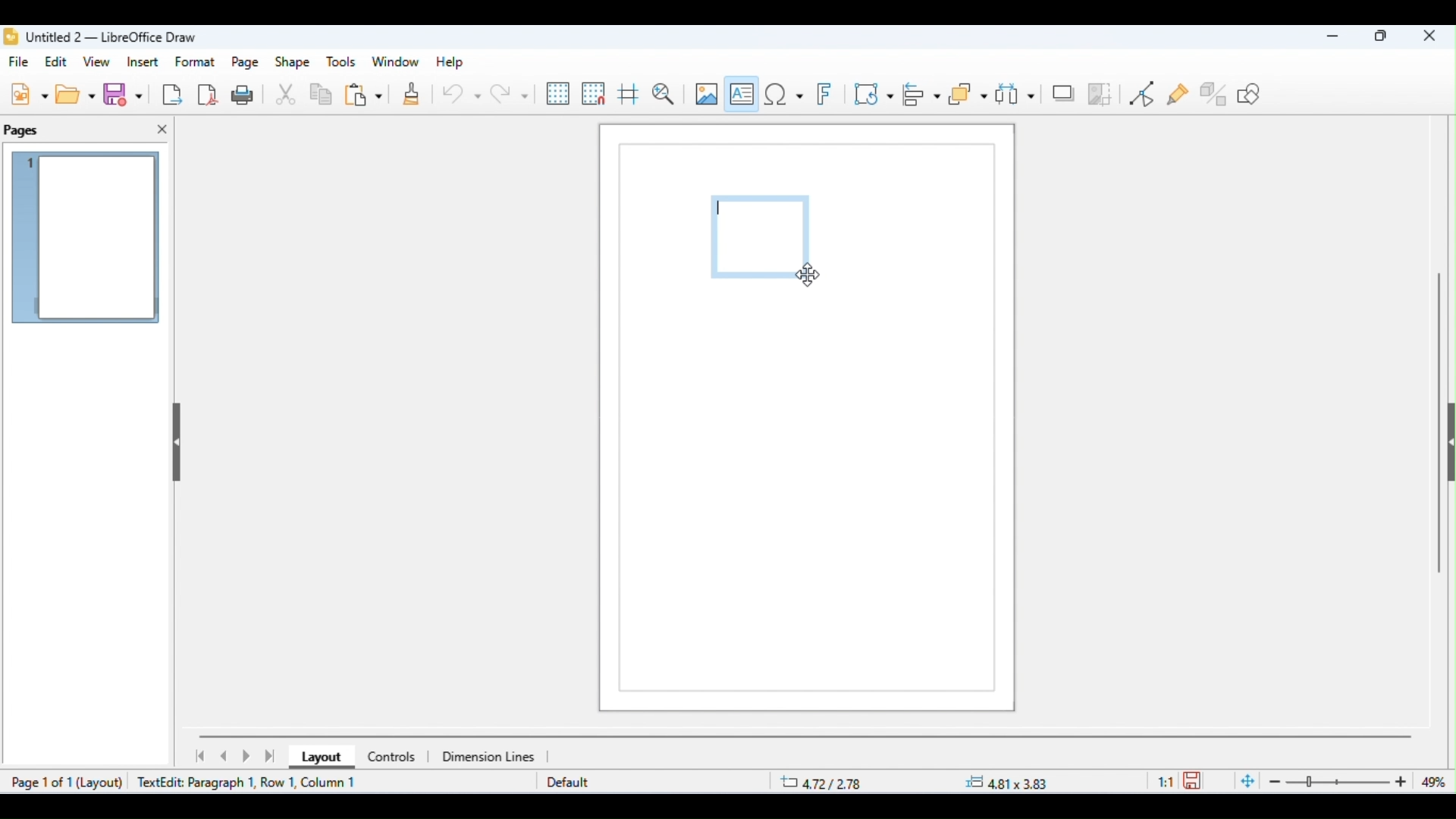 Image resolution: width=1456 pixels, height=819 pixels. I want to click on first page, so click(199, 756).